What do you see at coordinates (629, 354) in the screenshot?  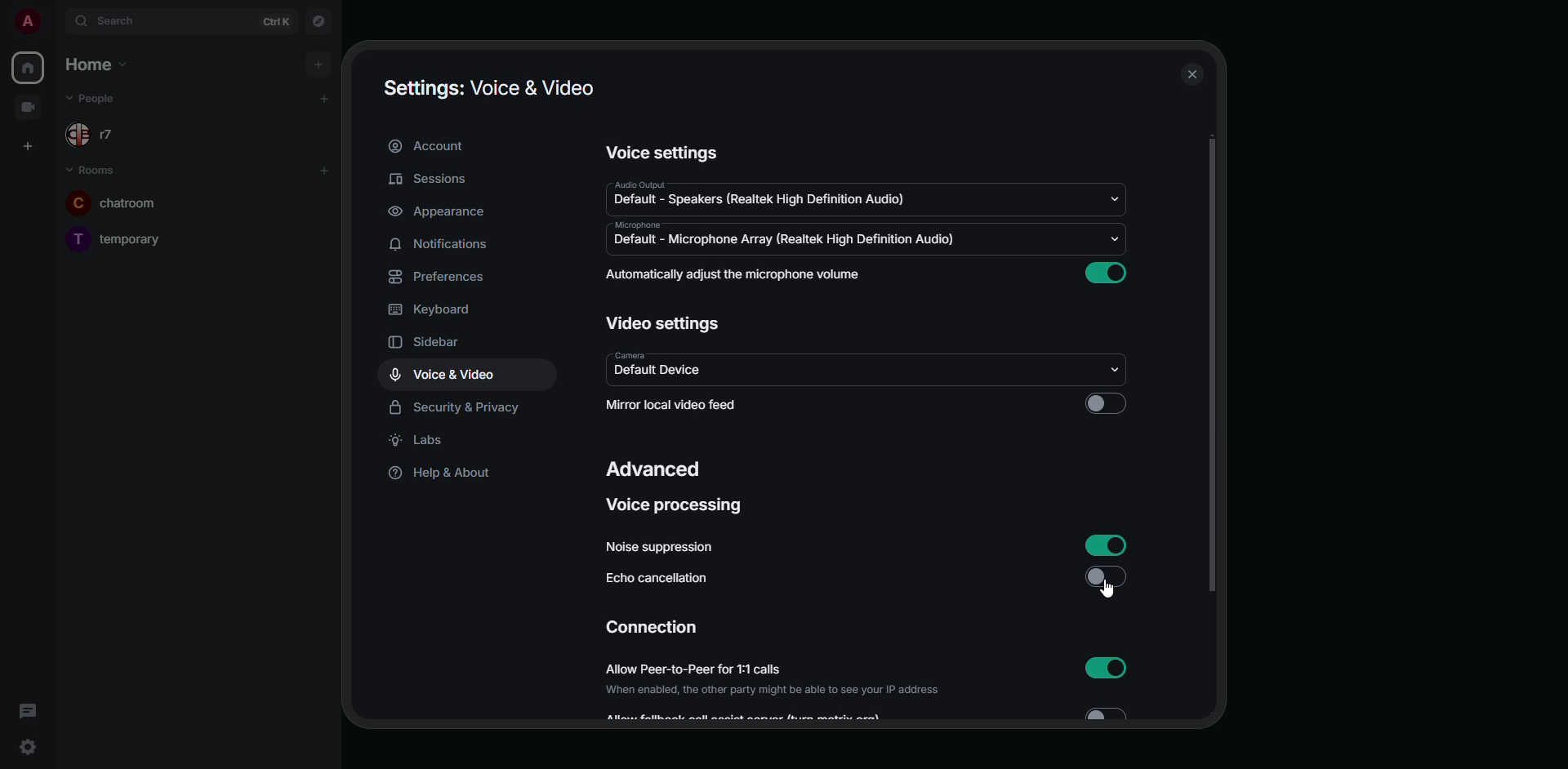 I see `camera` at bounding box center [629, 354].